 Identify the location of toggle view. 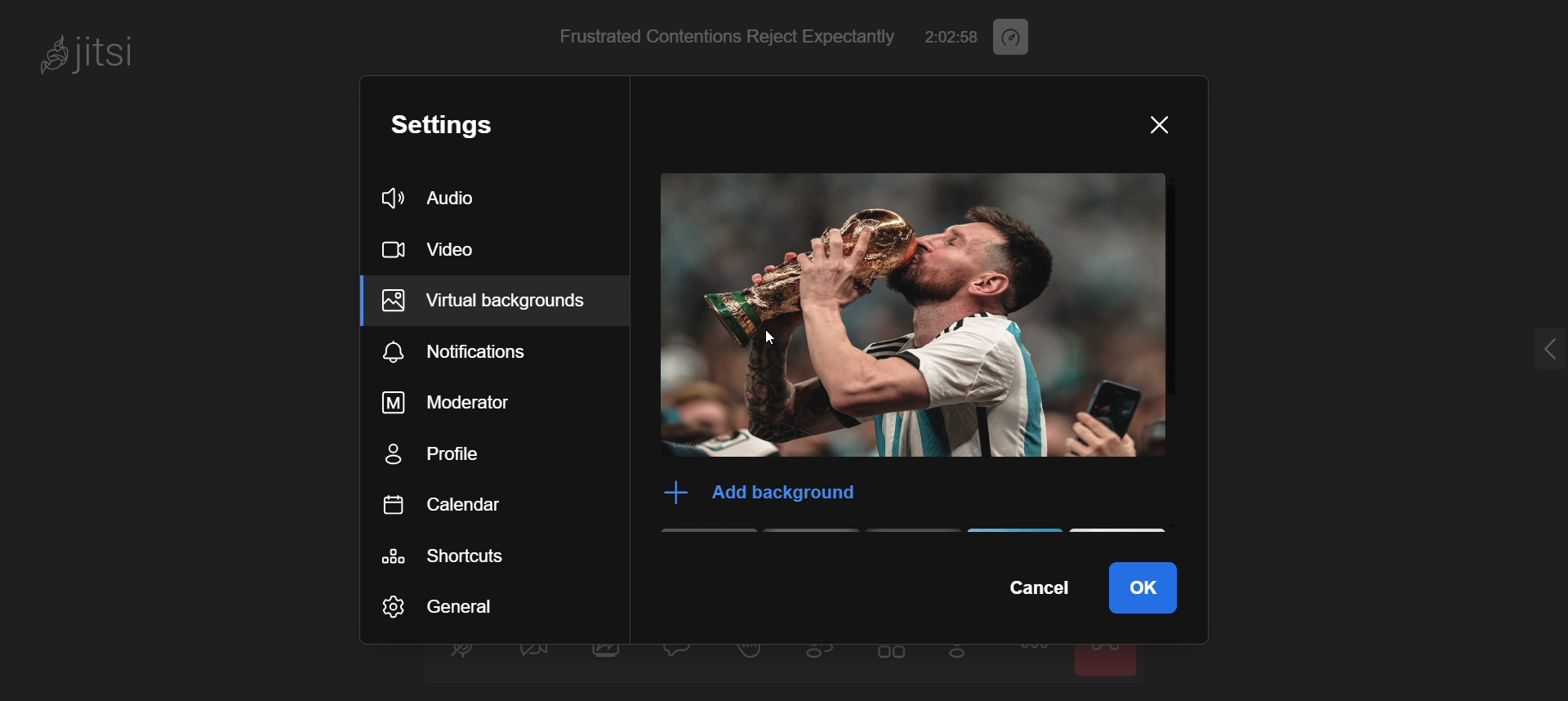
(893, 658).